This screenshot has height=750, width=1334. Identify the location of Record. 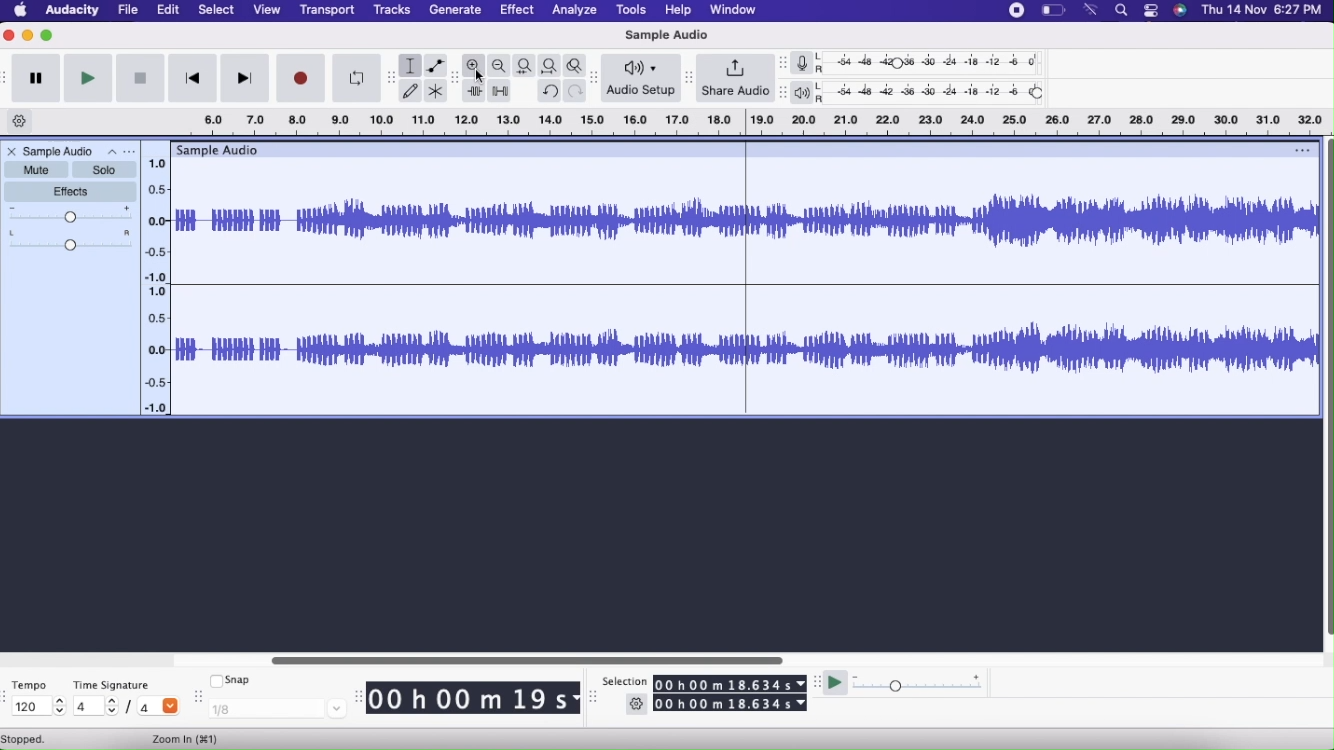
(300, 78).